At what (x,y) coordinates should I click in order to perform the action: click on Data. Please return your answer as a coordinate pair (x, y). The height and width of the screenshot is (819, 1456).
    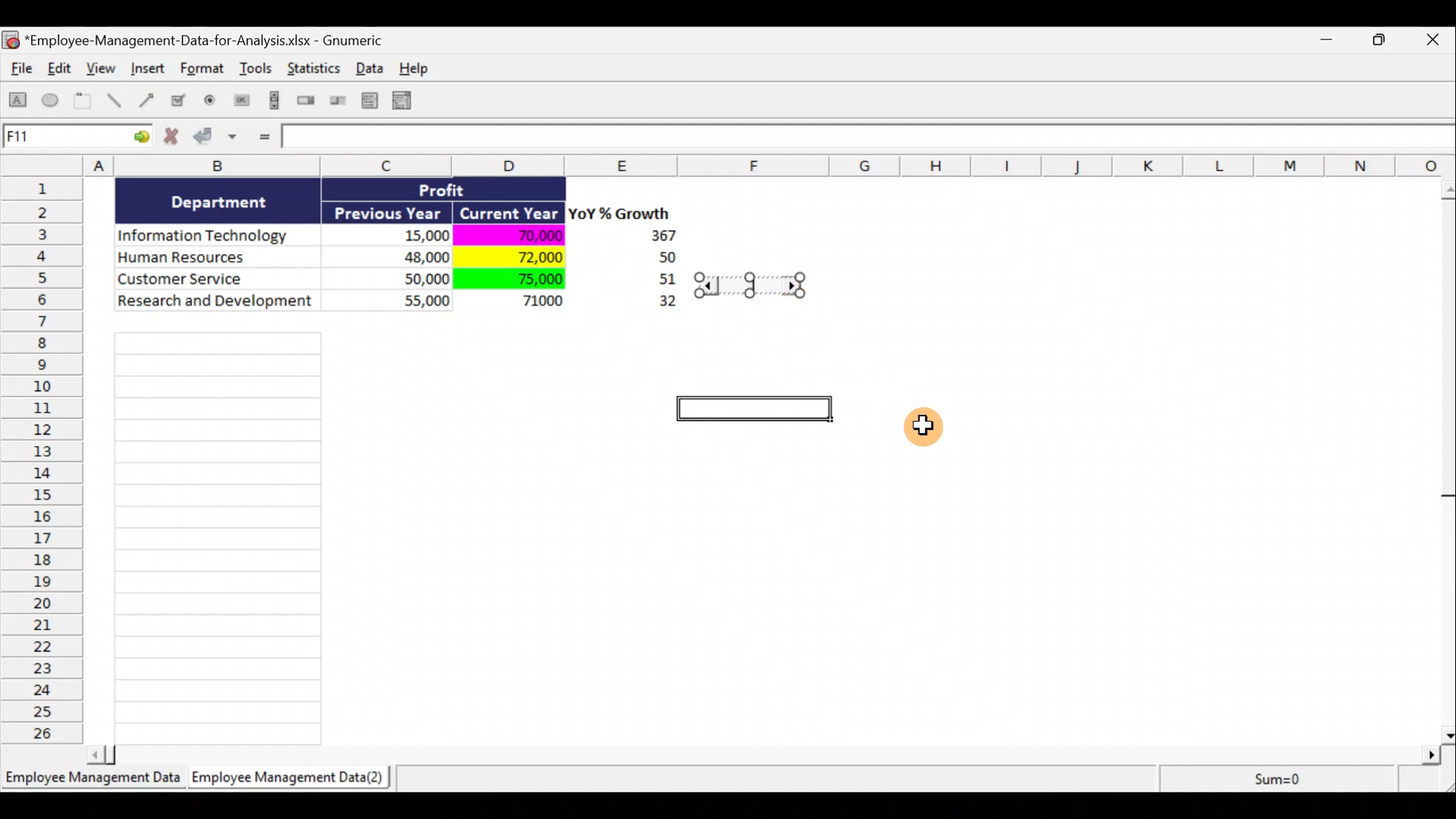
    Looking at the image, I should click on (394, 249).